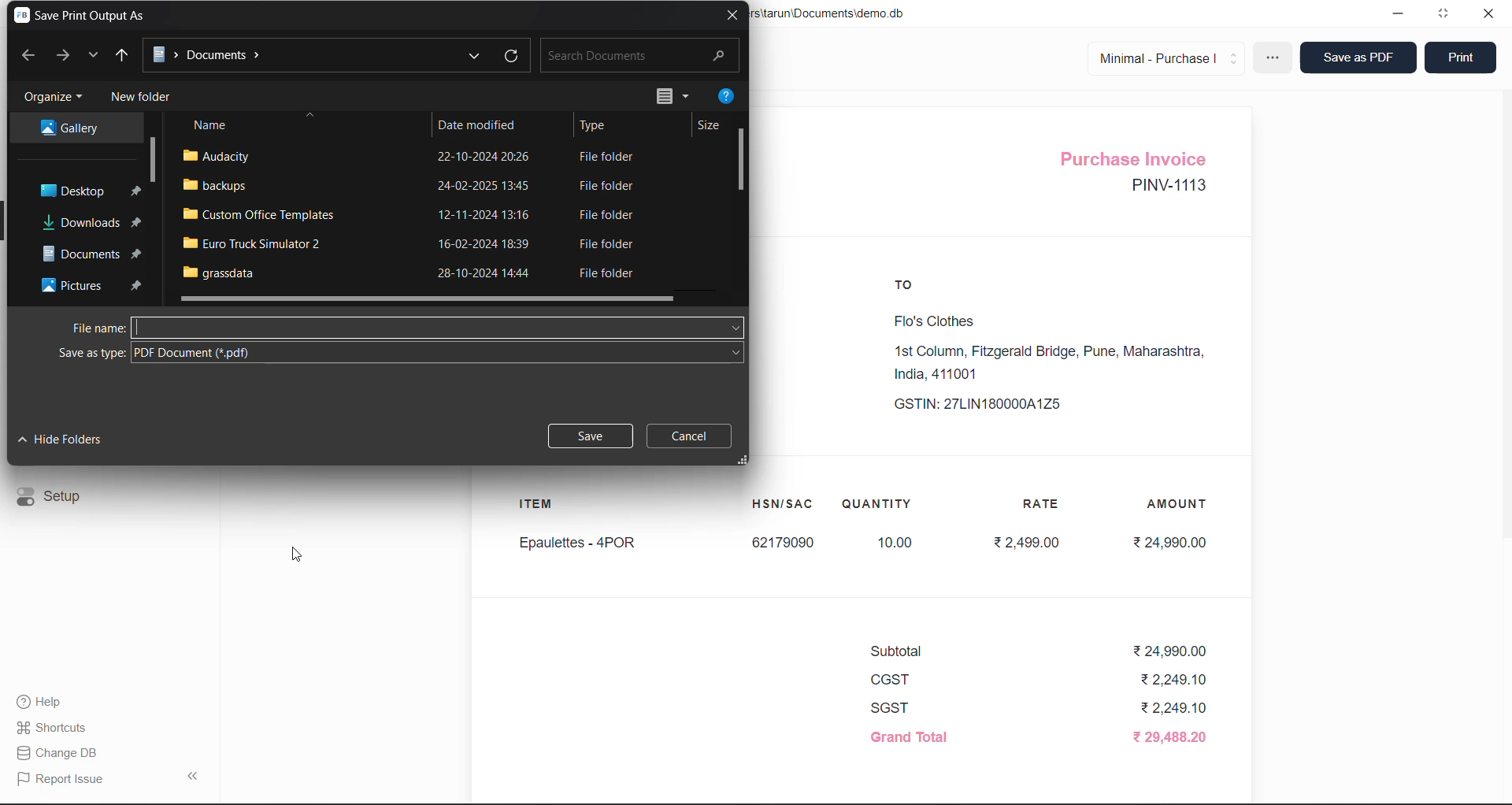 The image size is (1512, 805). Describe the element at coordinates (227, 157) in the screenshot. I see `audacity` at that location.